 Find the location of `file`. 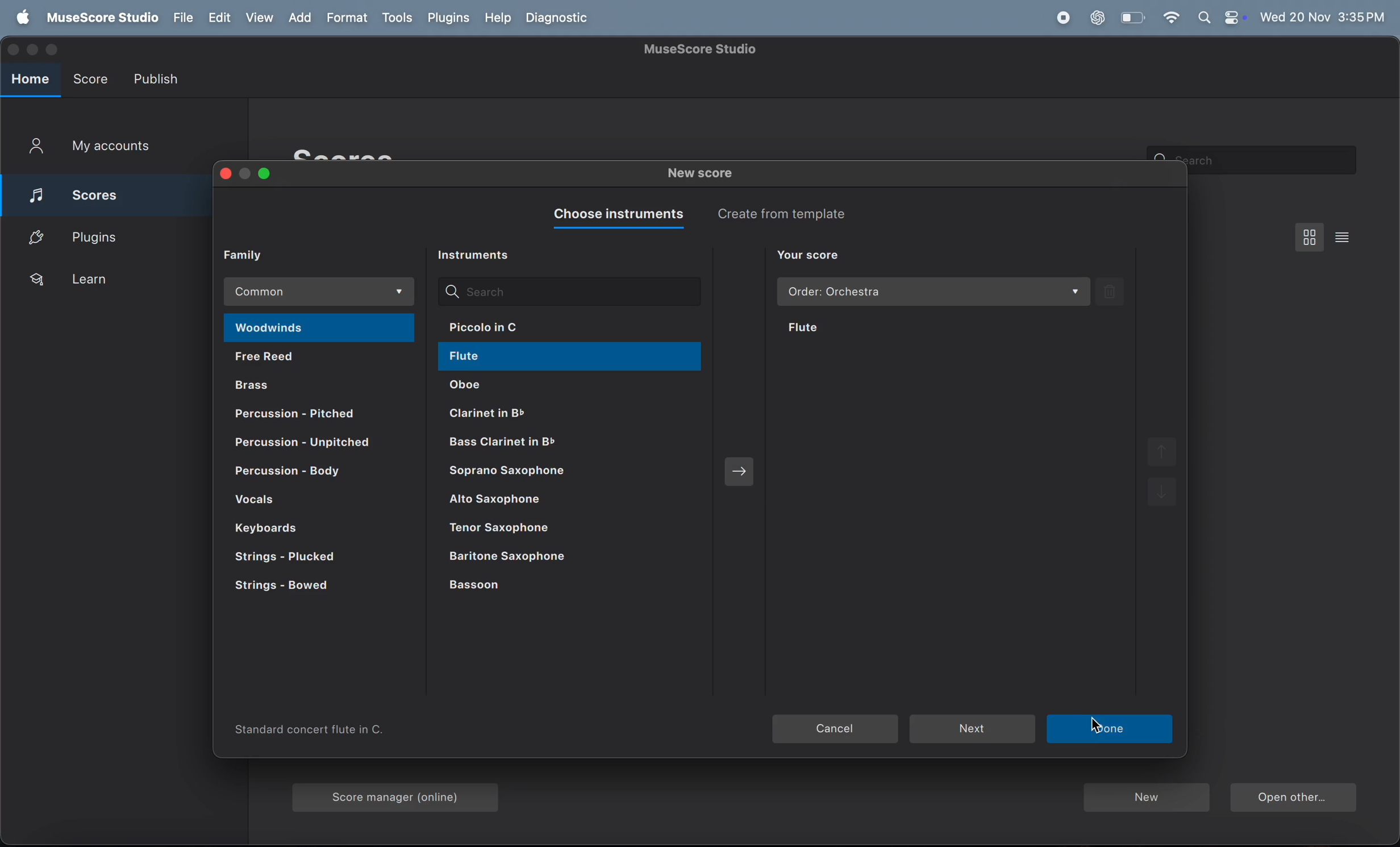

file is located at coordinates (181, 18).